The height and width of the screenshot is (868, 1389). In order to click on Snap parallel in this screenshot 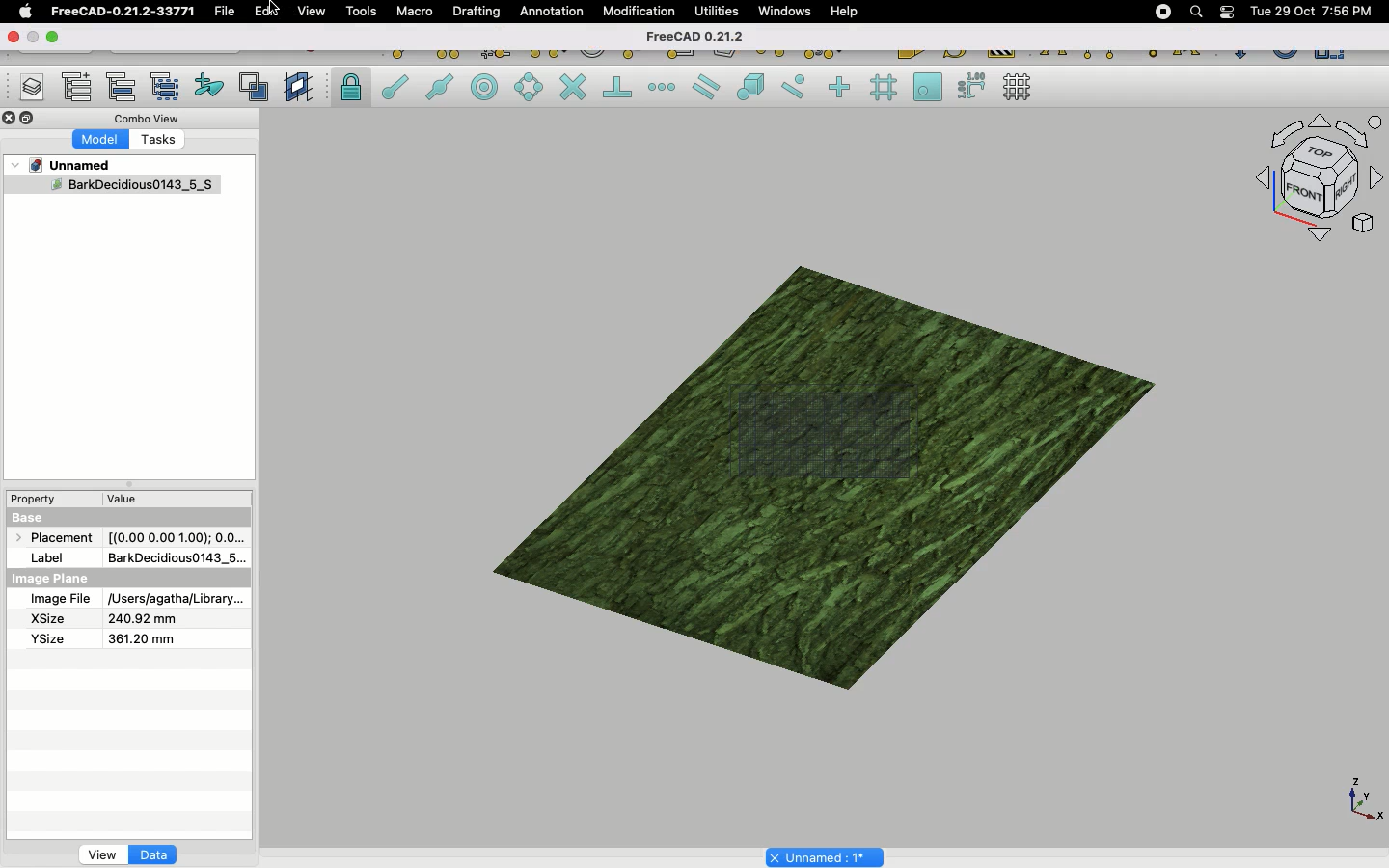, I will do `click(706, 87)`.